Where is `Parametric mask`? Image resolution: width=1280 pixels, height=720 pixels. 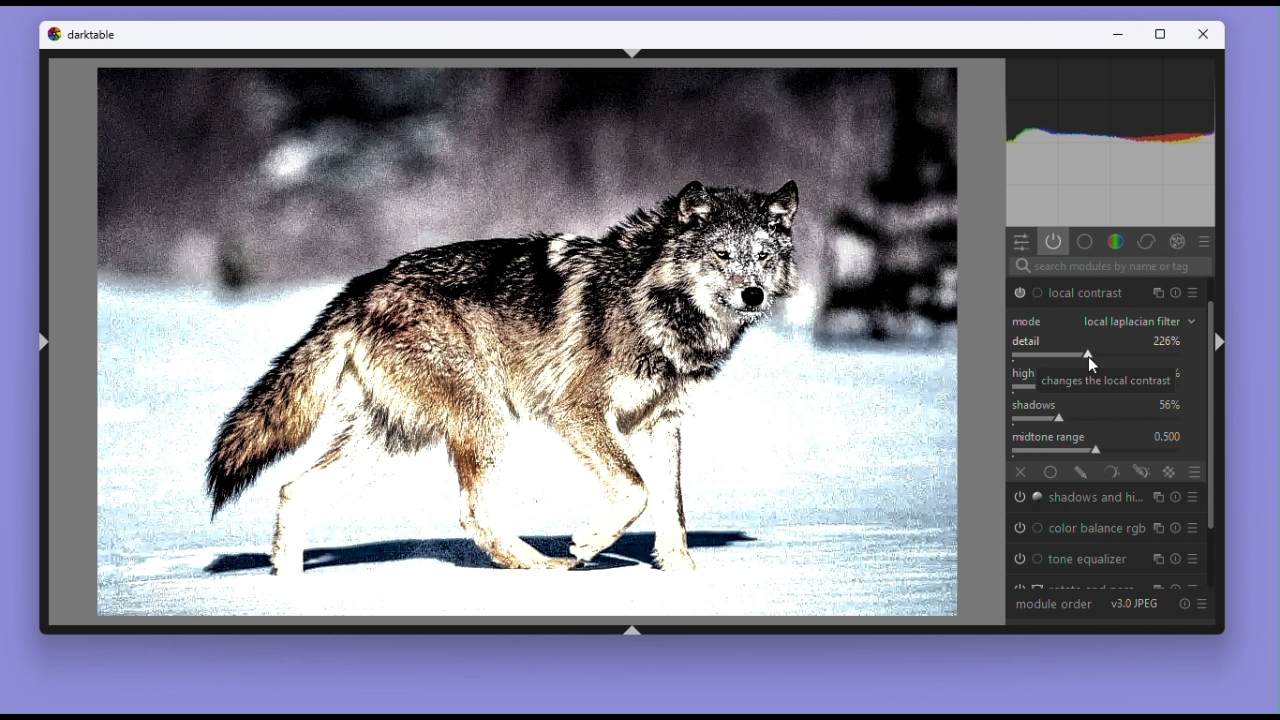 Parametric mask is located at coordinates (1112, 472).